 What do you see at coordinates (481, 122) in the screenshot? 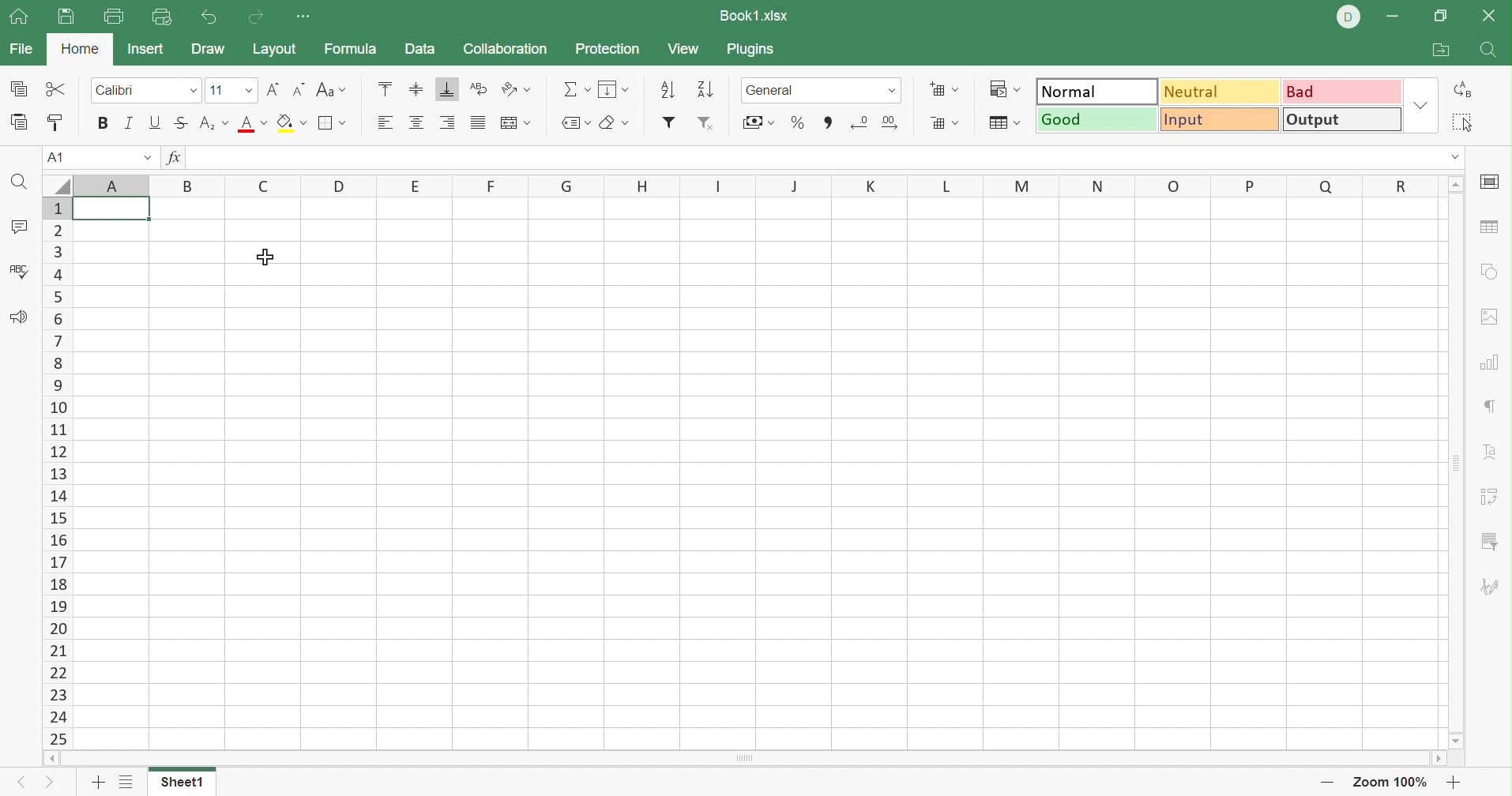
I see `Justified` at bounding box center [481, 122].